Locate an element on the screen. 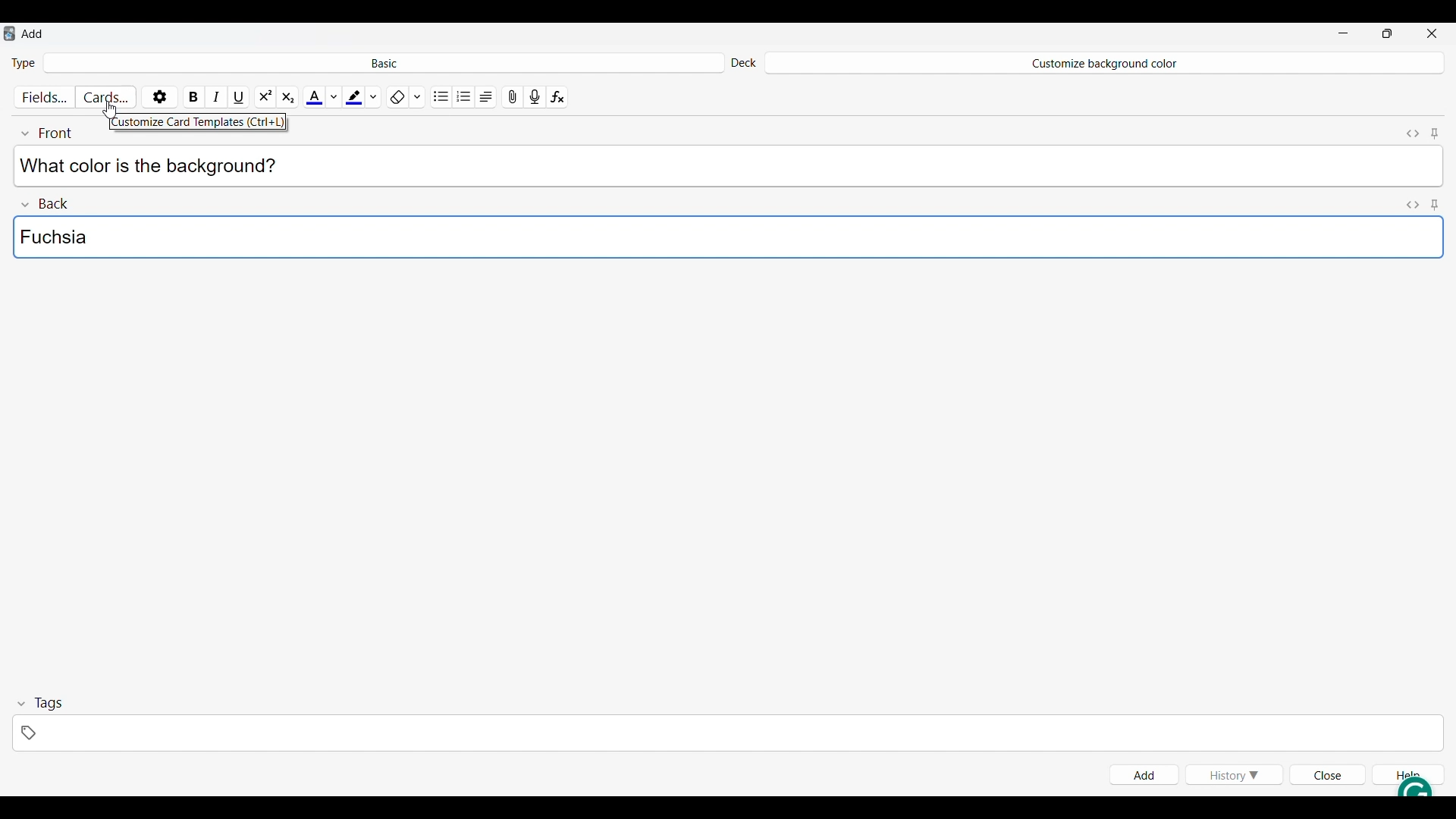   is located at coordinates (1235, 774).